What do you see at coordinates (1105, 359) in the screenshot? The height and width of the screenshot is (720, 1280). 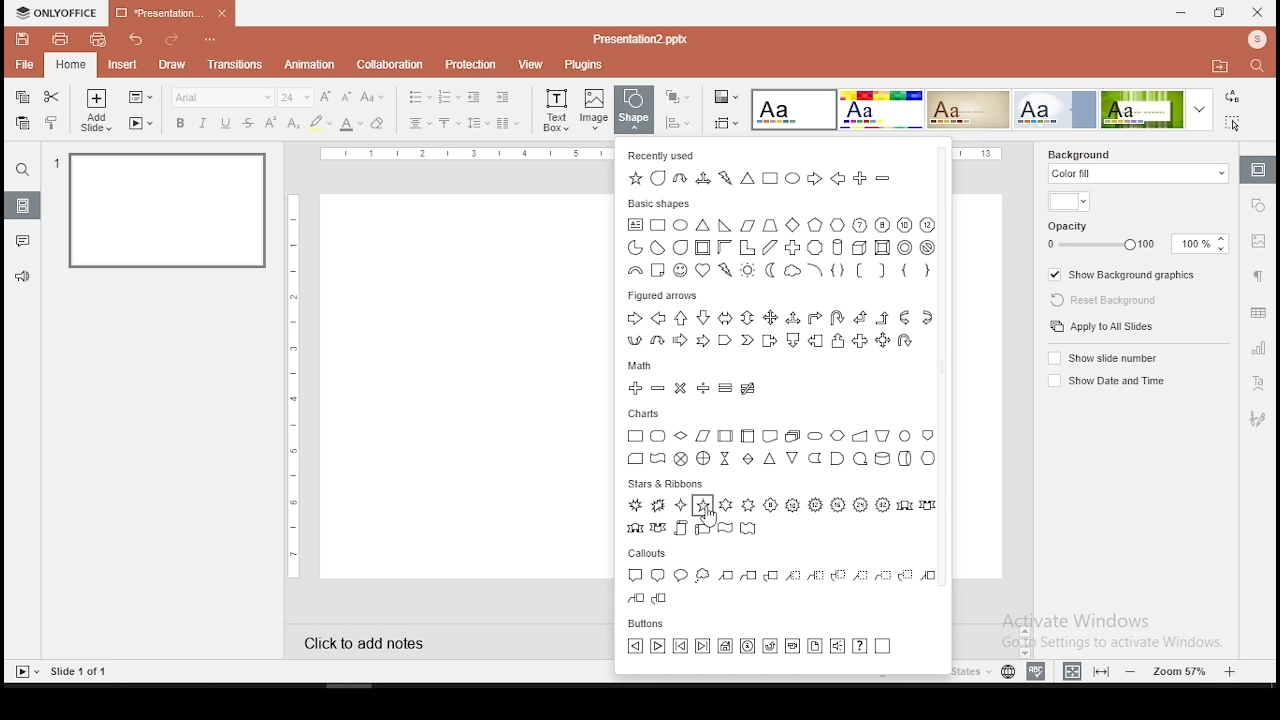 I see `show slide number on/off` at bounding box center [1105, 359].